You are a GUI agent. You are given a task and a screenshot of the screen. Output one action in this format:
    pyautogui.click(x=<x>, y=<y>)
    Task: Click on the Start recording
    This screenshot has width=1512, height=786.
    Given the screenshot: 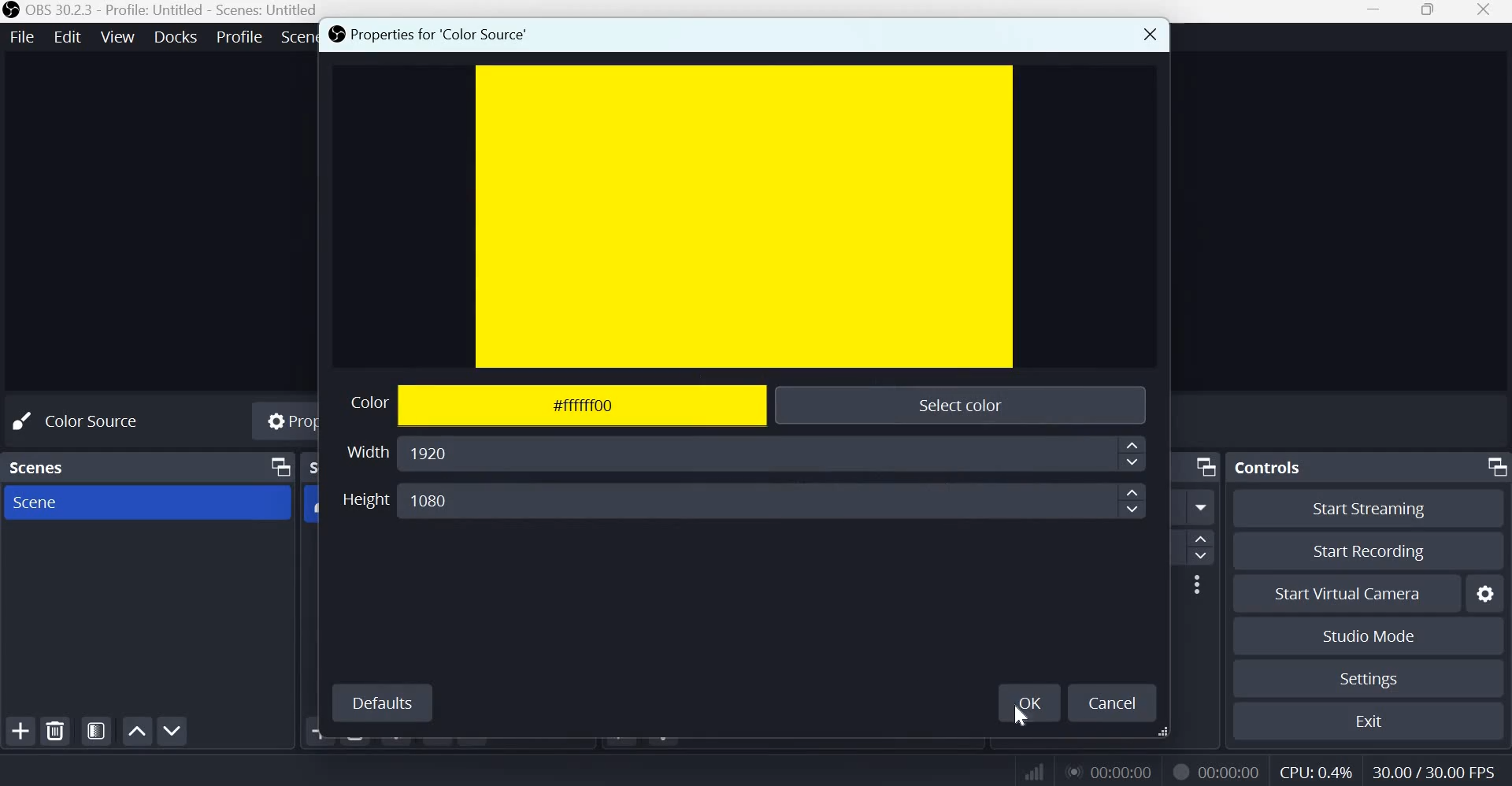 What is the action you would take?
    pyautogui.click(x=1377, y=552)
    